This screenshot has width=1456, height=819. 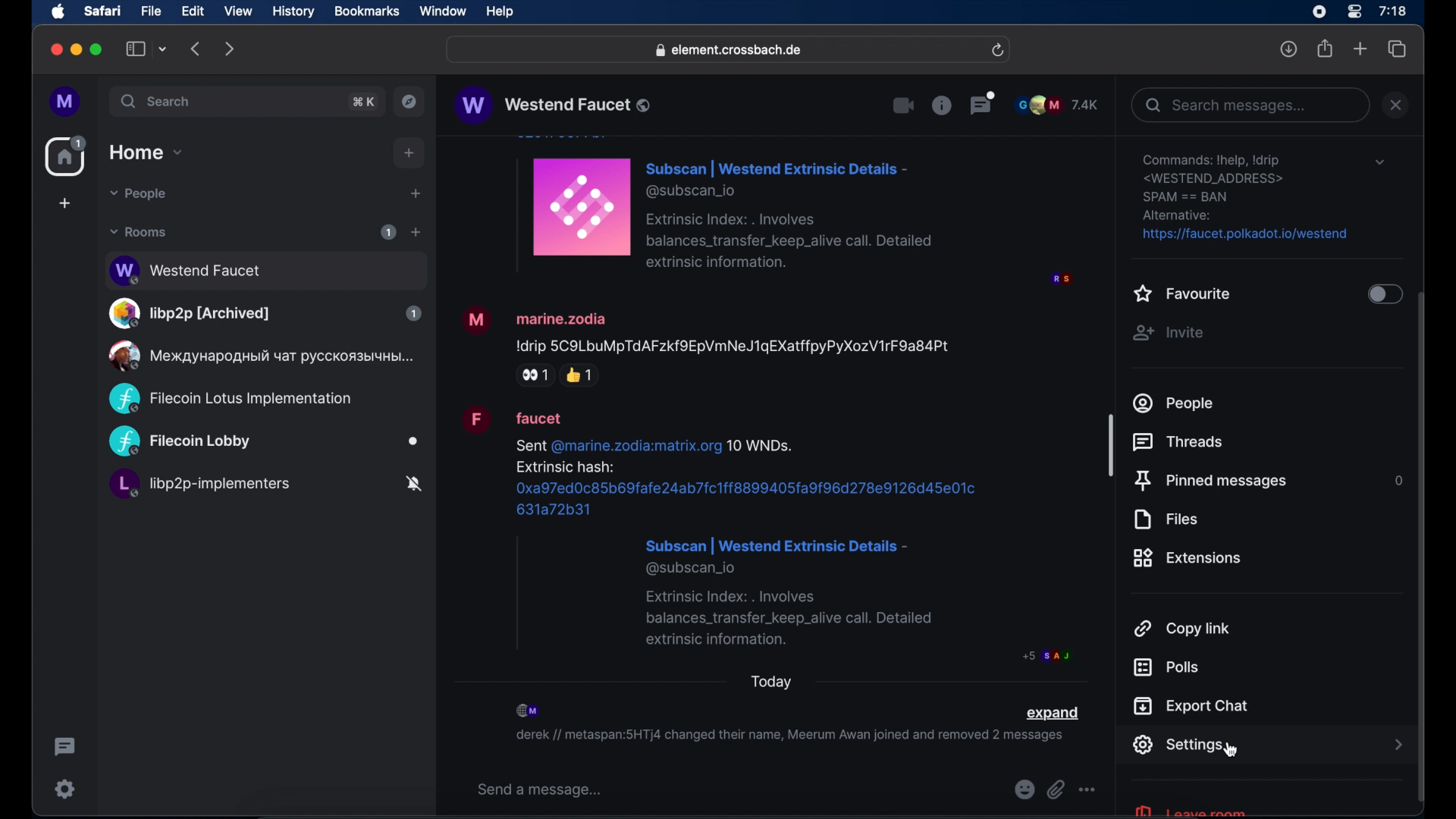 I want to click on favorite, so click(x=1183, y=295).